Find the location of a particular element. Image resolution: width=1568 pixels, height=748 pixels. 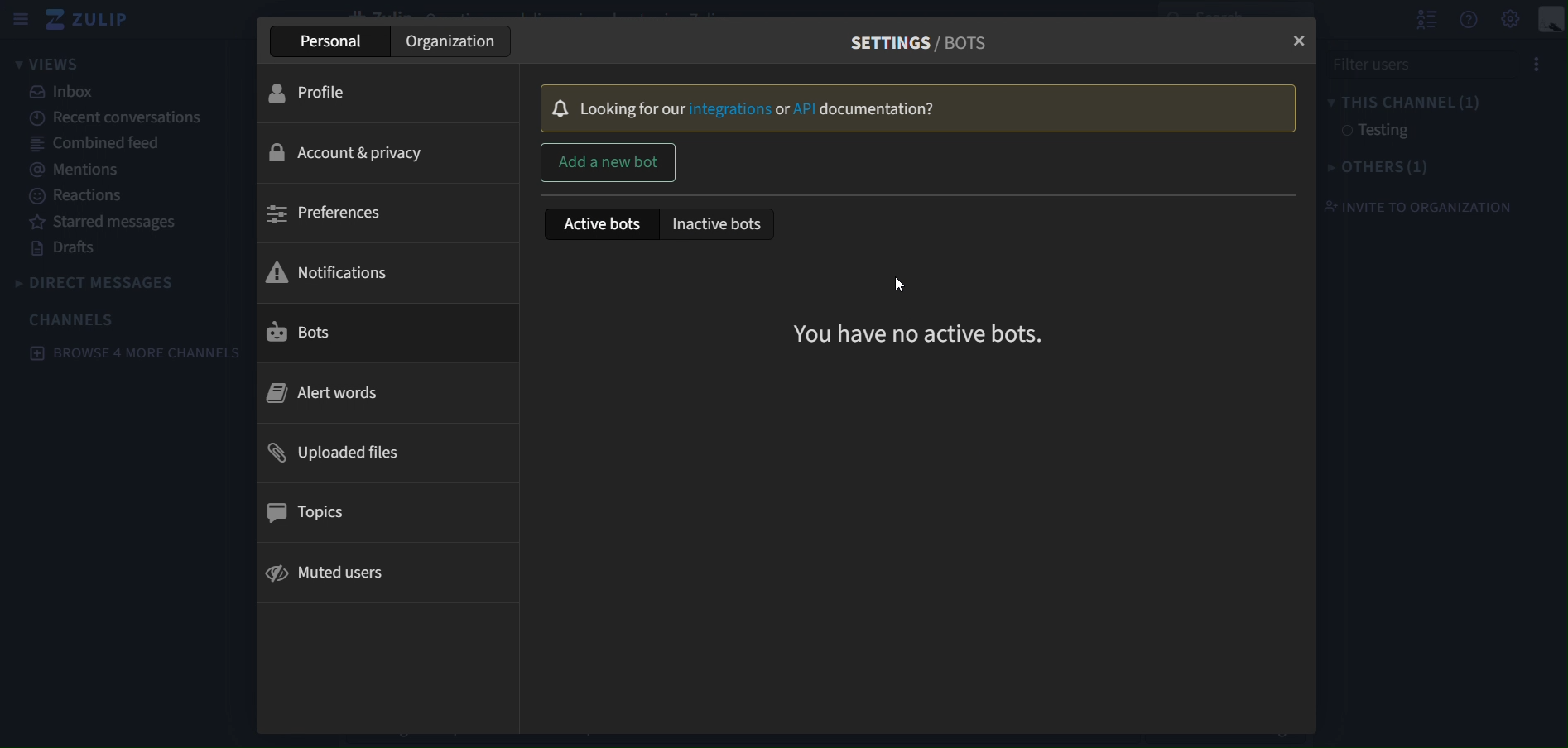

active bots is located at coordinates (612, 227).